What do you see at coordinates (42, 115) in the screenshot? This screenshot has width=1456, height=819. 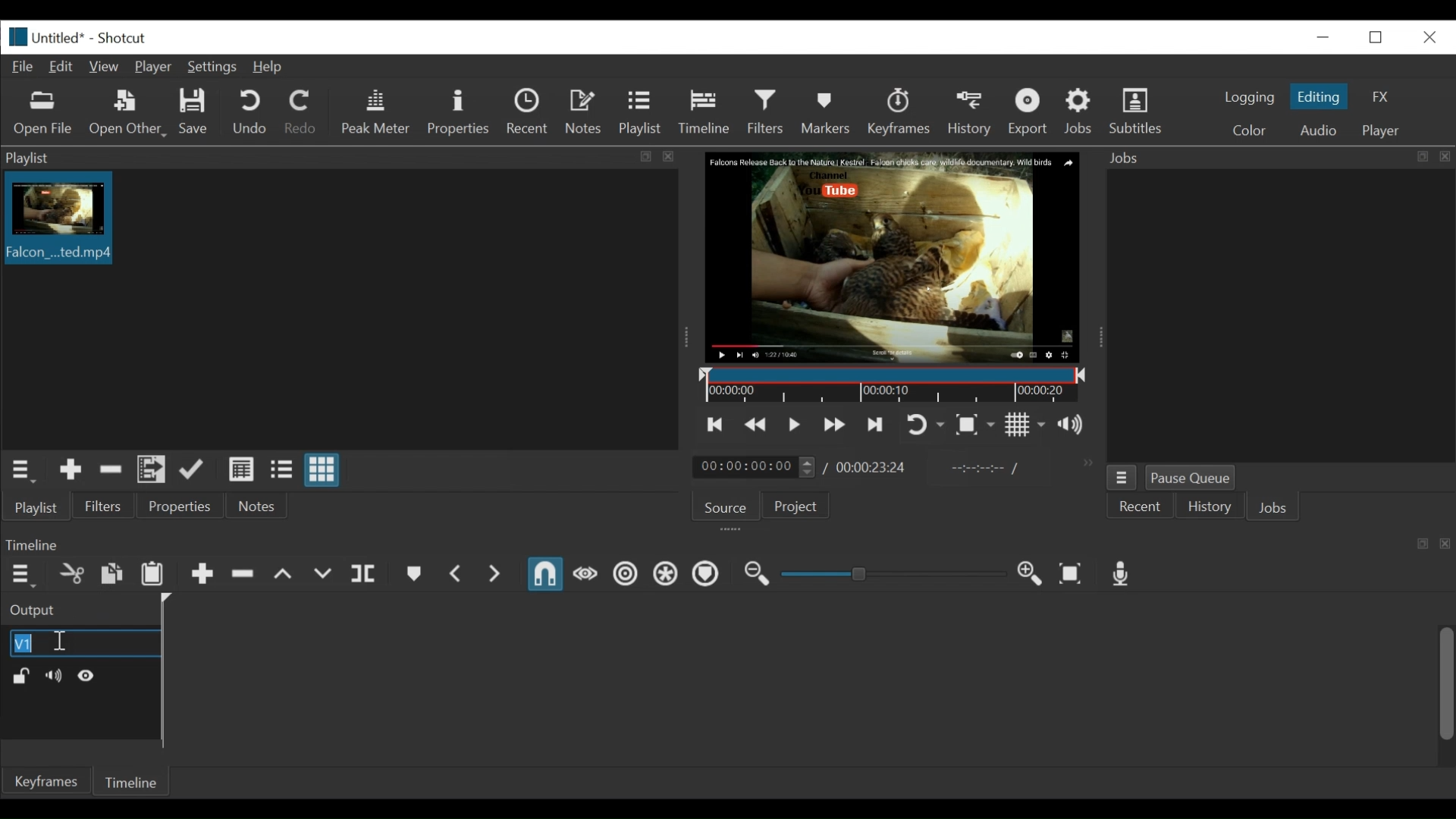 I see `Open file` at bounding box center [42, 115].